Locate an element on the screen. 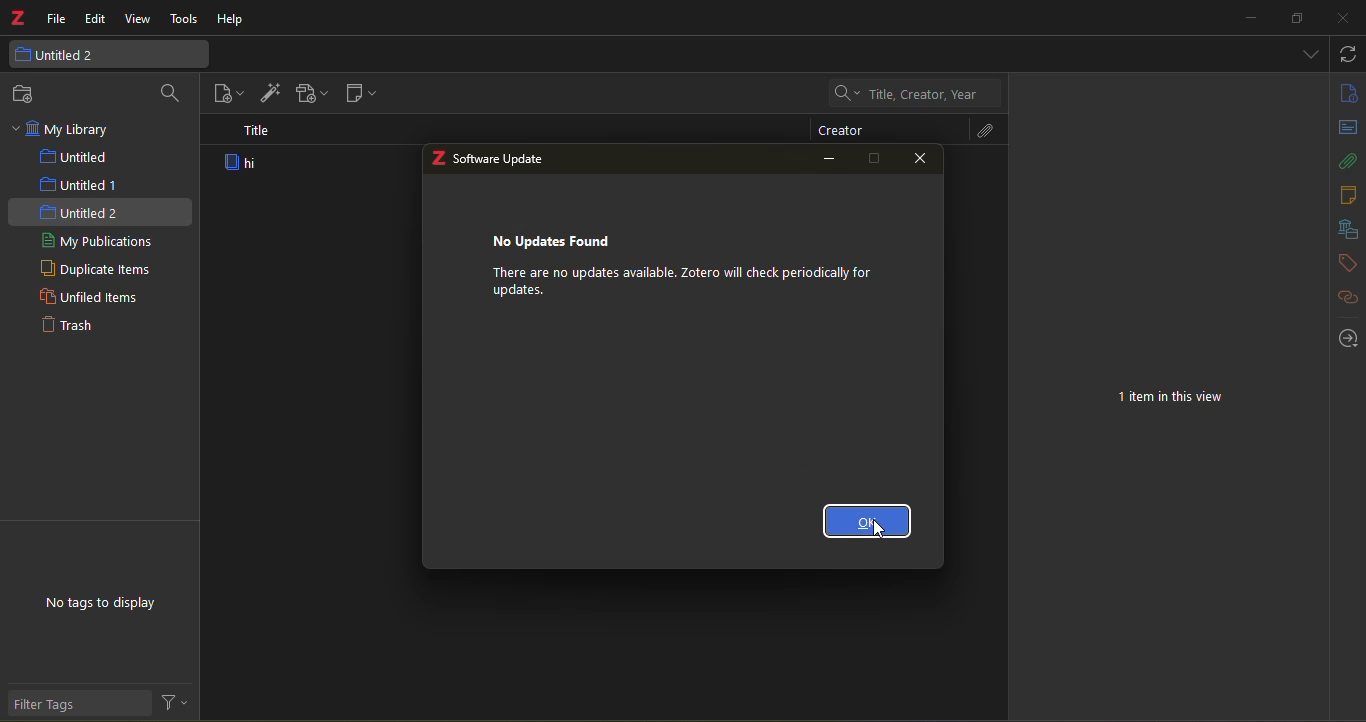  attach is located at coordinates (1347, 163).